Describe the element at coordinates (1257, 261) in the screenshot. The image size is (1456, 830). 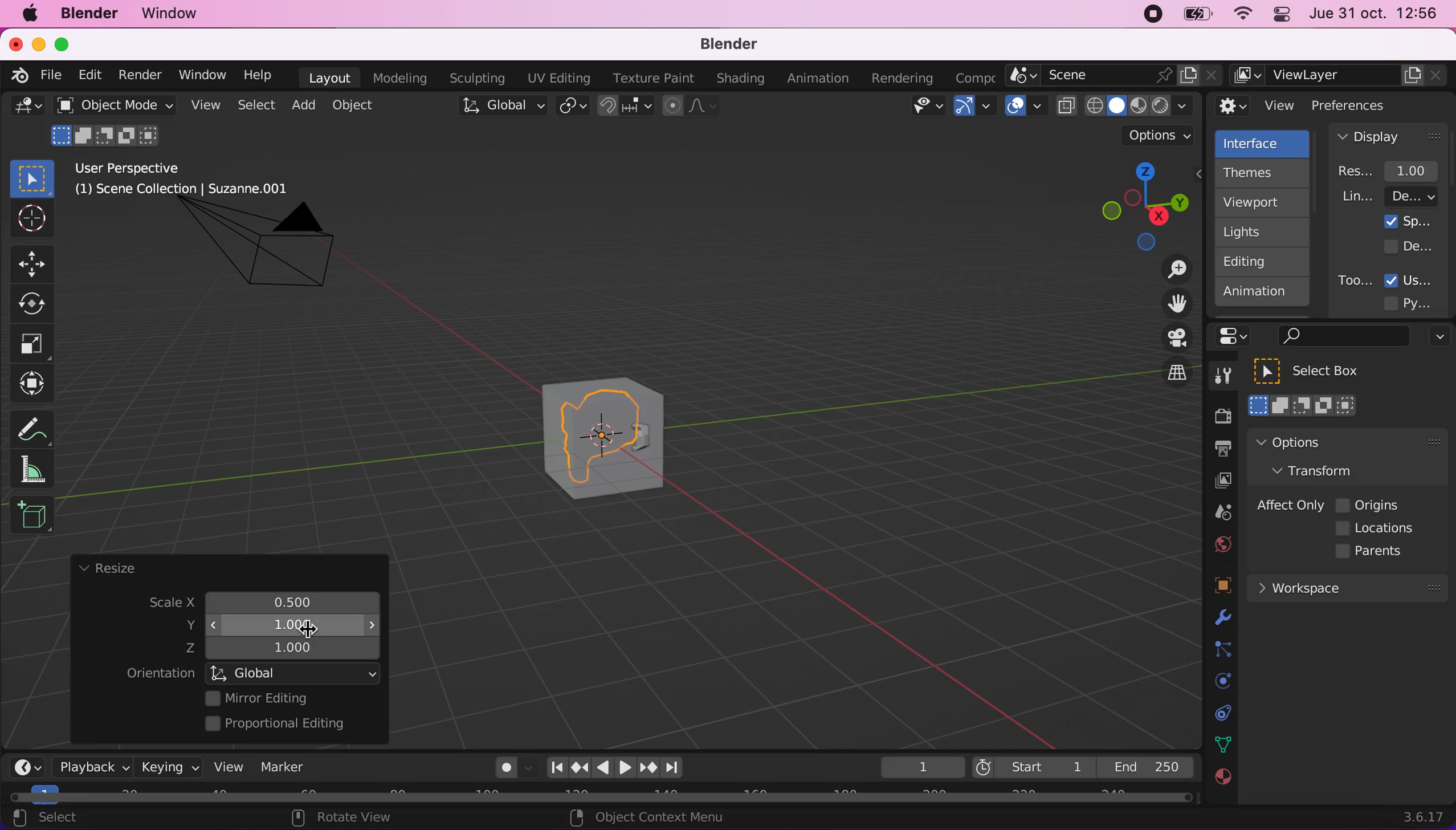
I see `editing` at that location.